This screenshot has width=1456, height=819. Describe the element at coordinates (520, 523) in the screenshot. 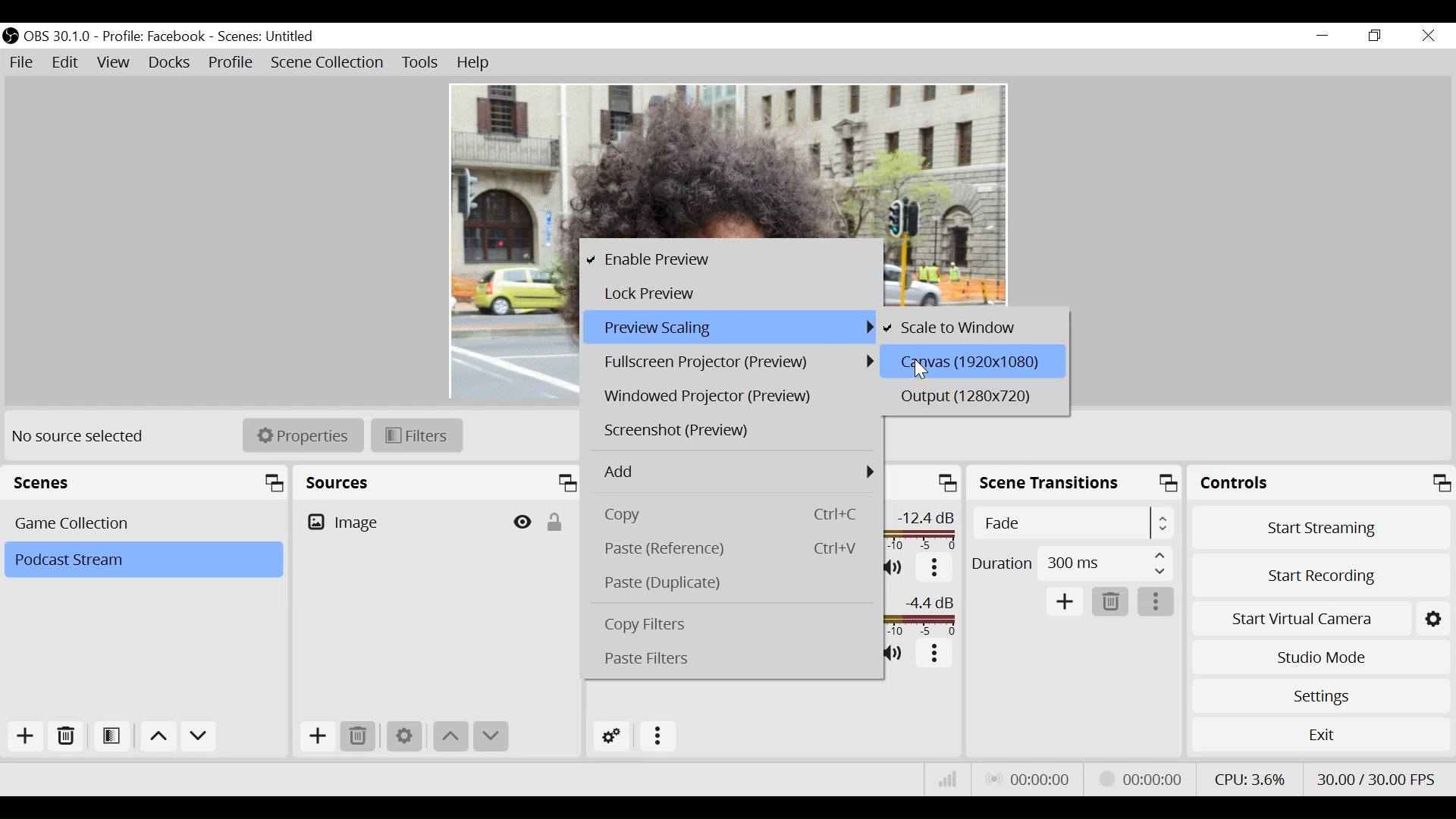

I see `Hide/Display` at that location.